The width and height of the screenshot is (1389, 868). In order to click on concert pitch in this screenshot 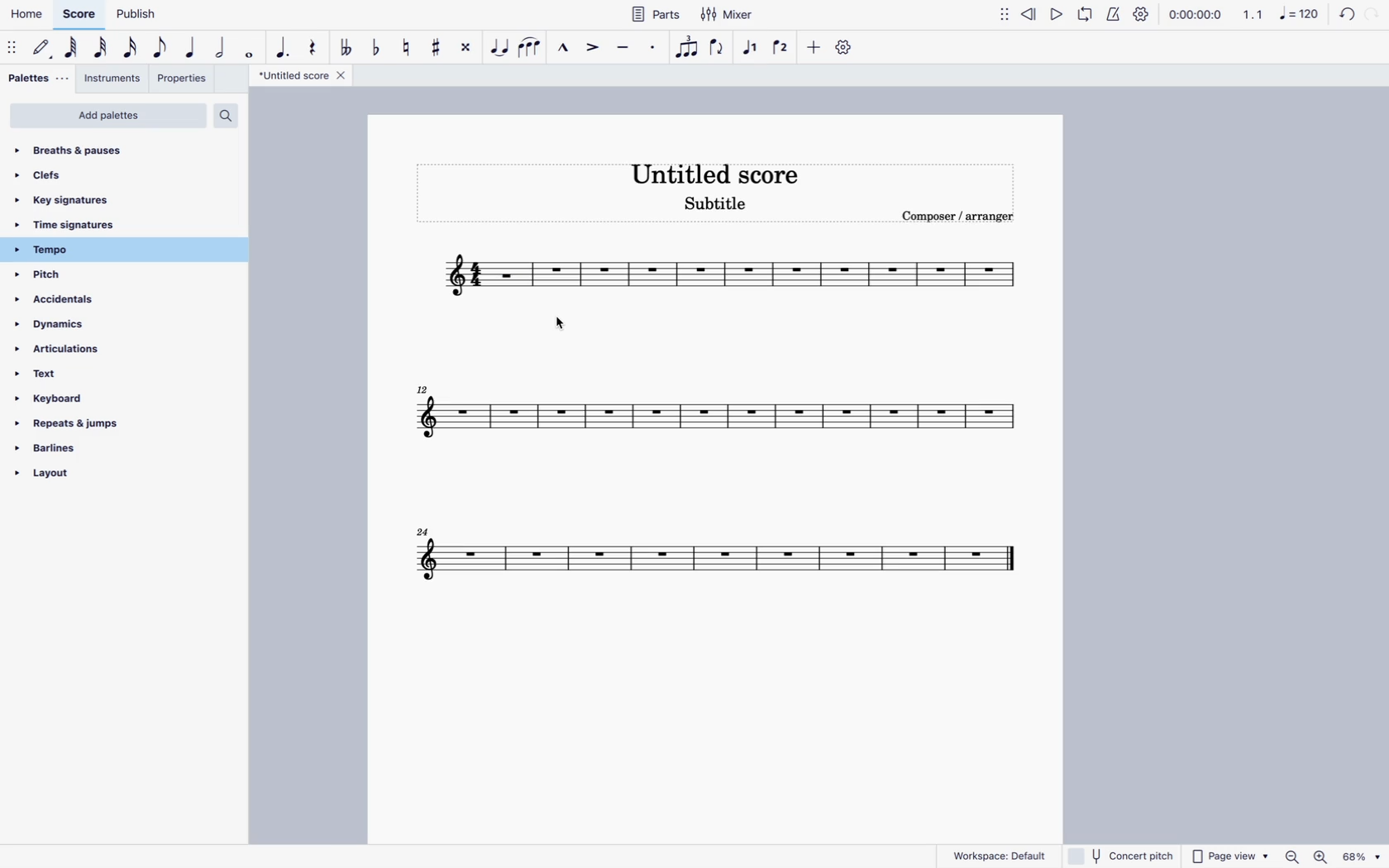, I will do `click(1121, 856)`.